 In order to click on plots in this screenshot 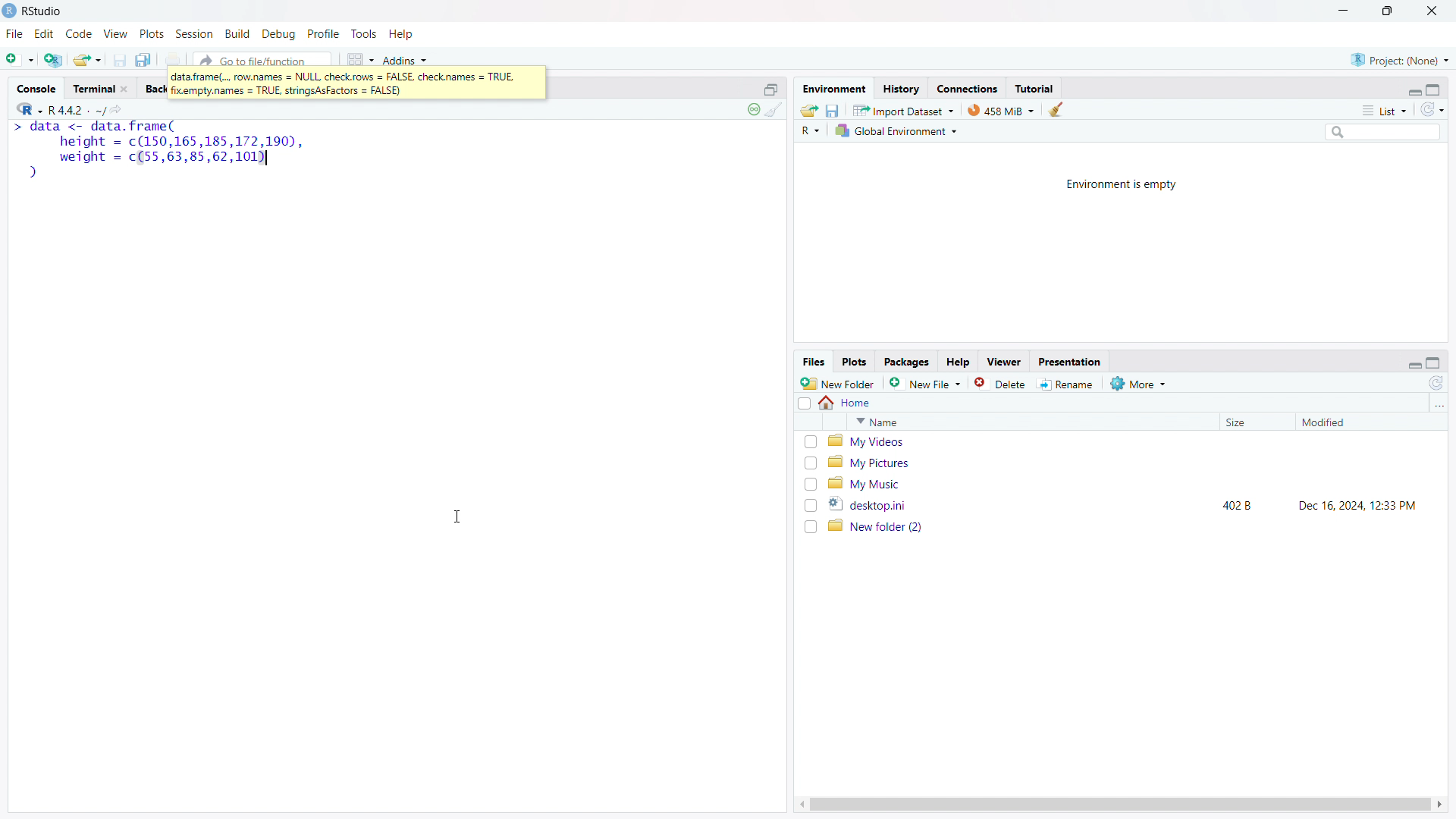, I will do `click(855, 362)`.